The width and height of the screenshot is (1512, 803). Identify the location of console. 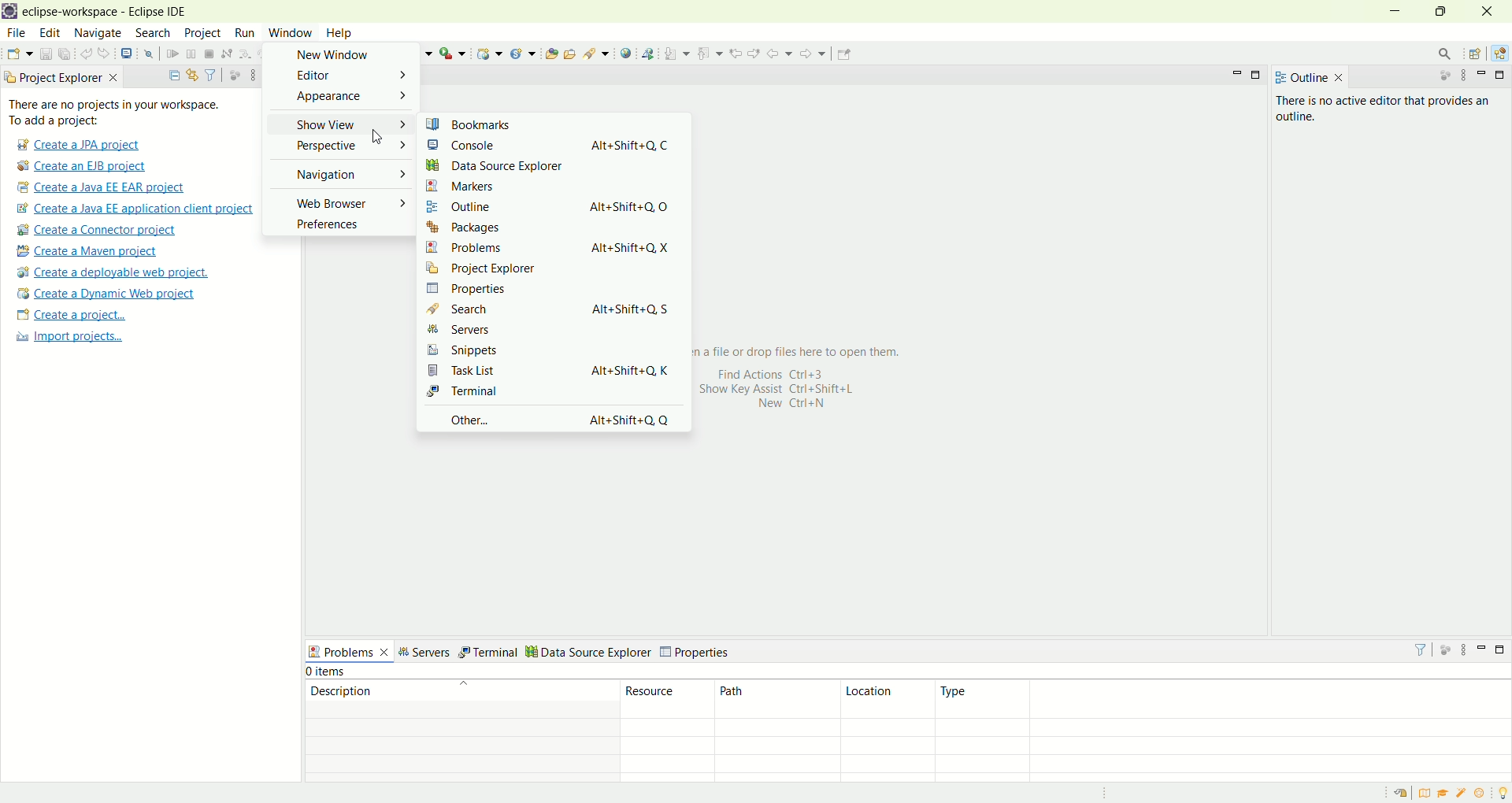
(495, 146).